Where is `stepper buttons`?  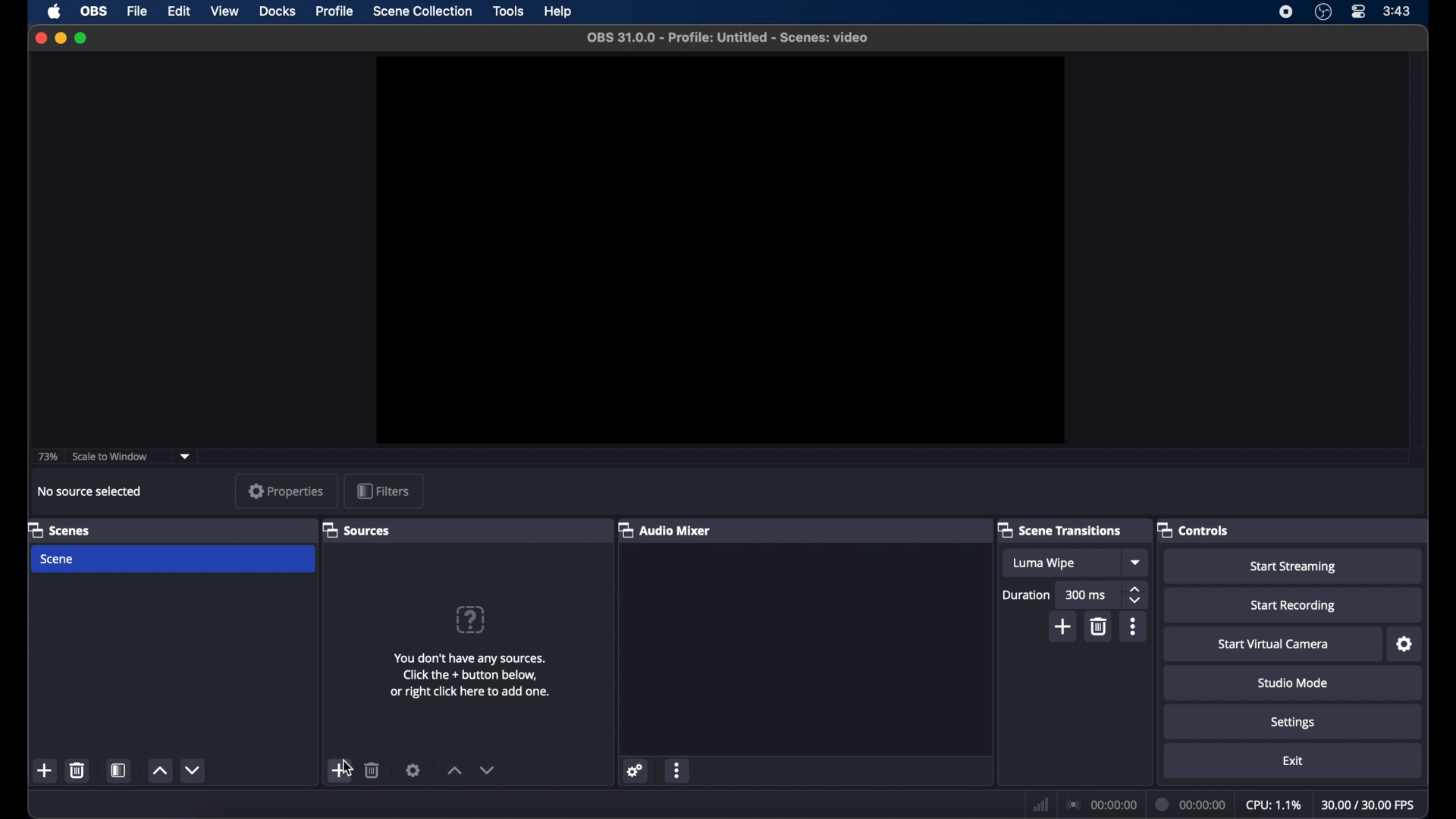 stepper buttons is located at coordinates (1134, 595).